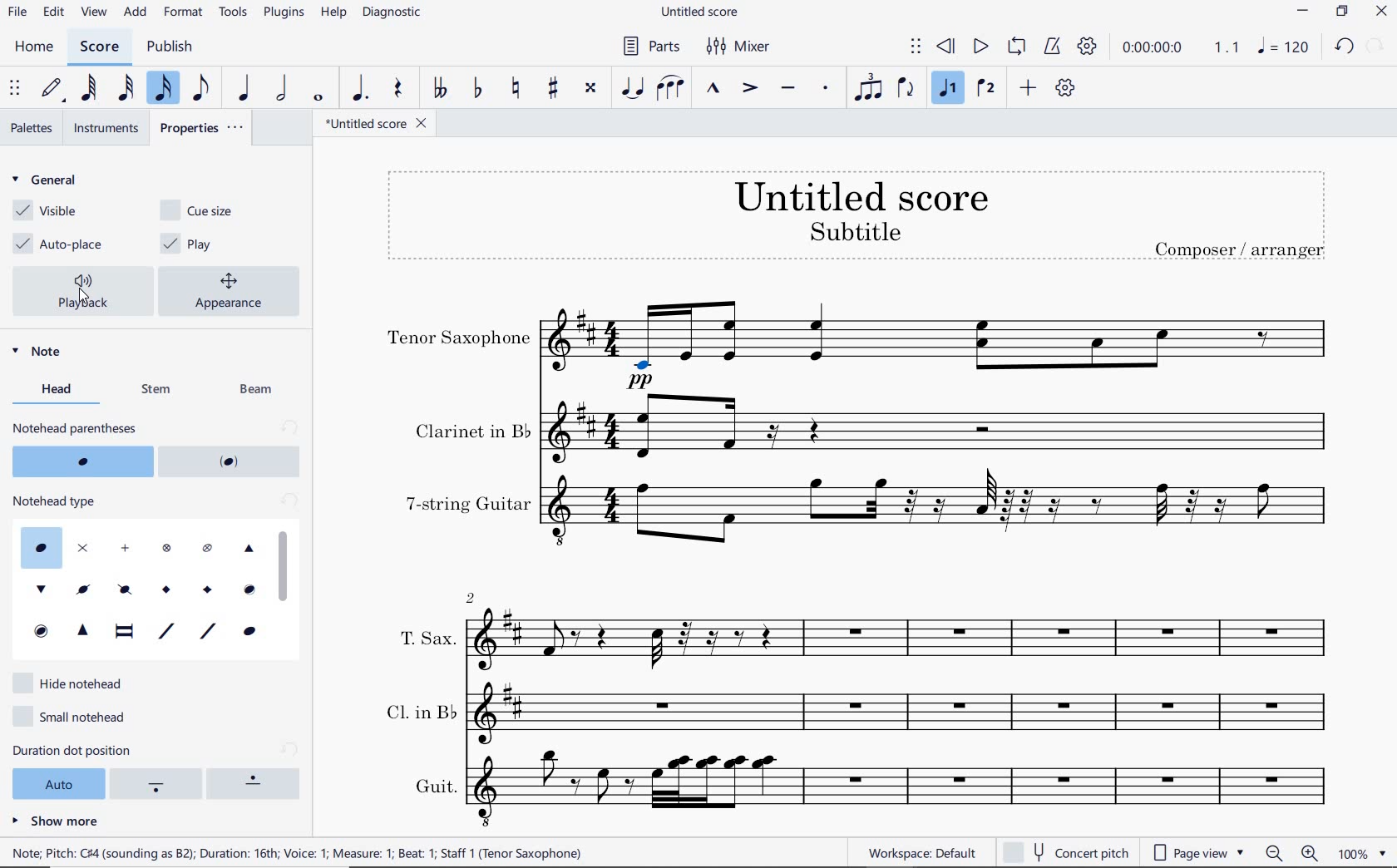 The image size is (1397, 868). What do you see at coordinates (16, 88) in the screenshot?
I see `SELECT TO MOVE` at bounding box center [16, 88].